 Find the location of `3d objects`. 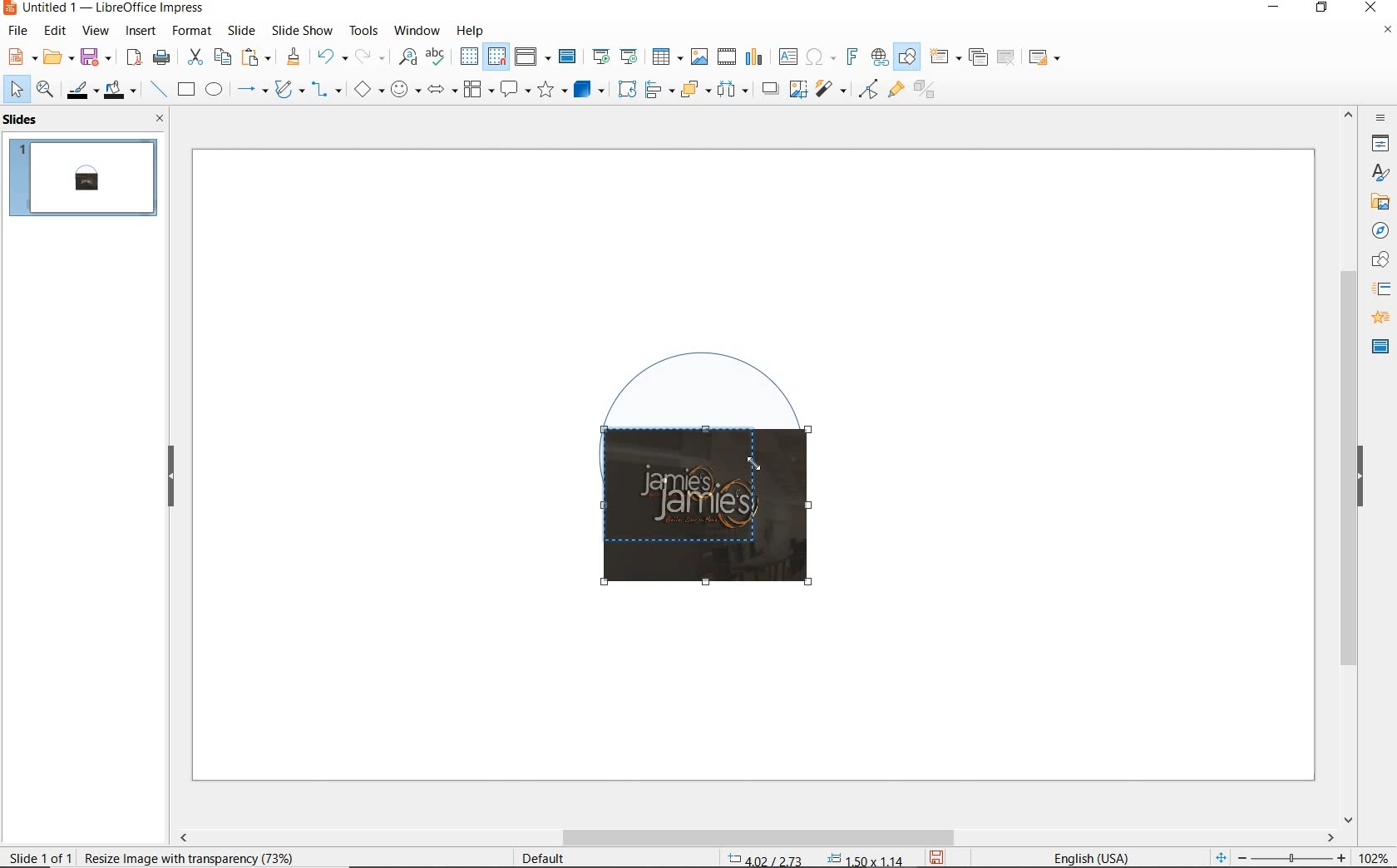

3d objects is located at coordinates (590, 90).